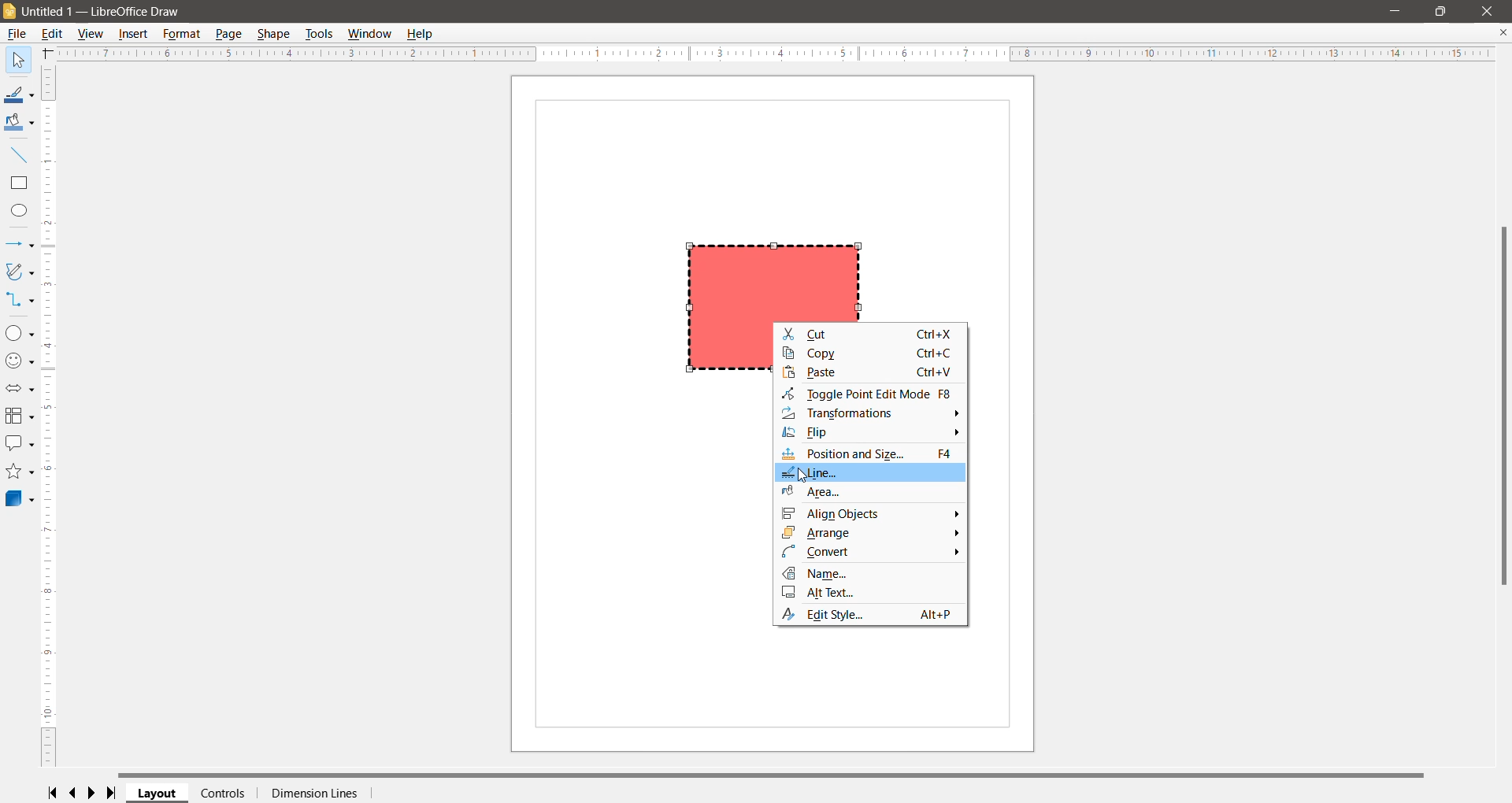  I want to click on Name, so click(818, 574).